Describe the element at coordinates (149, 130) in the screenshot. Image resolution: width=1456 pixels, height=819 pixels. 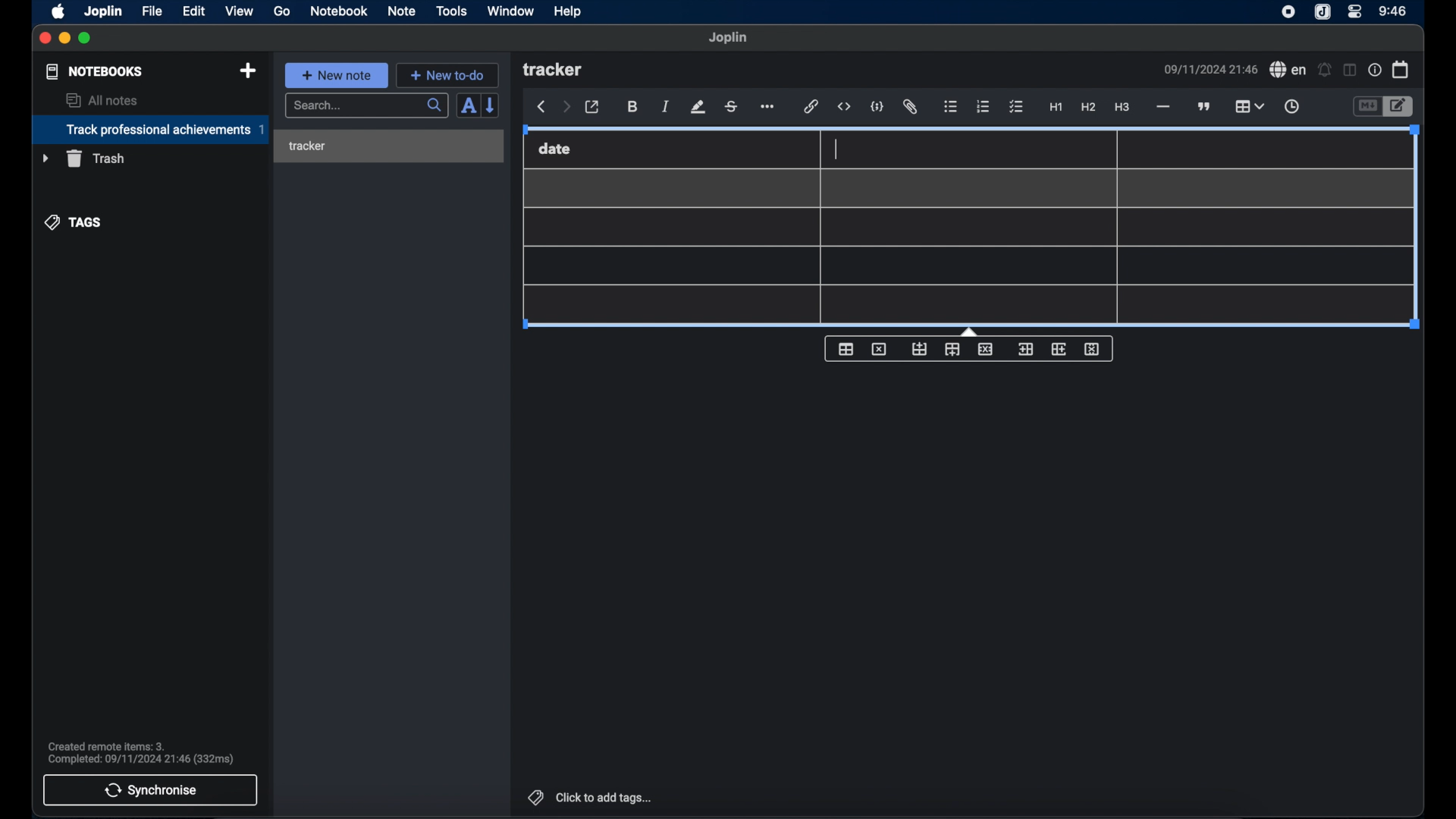
I see `track professional achievements` at that location.